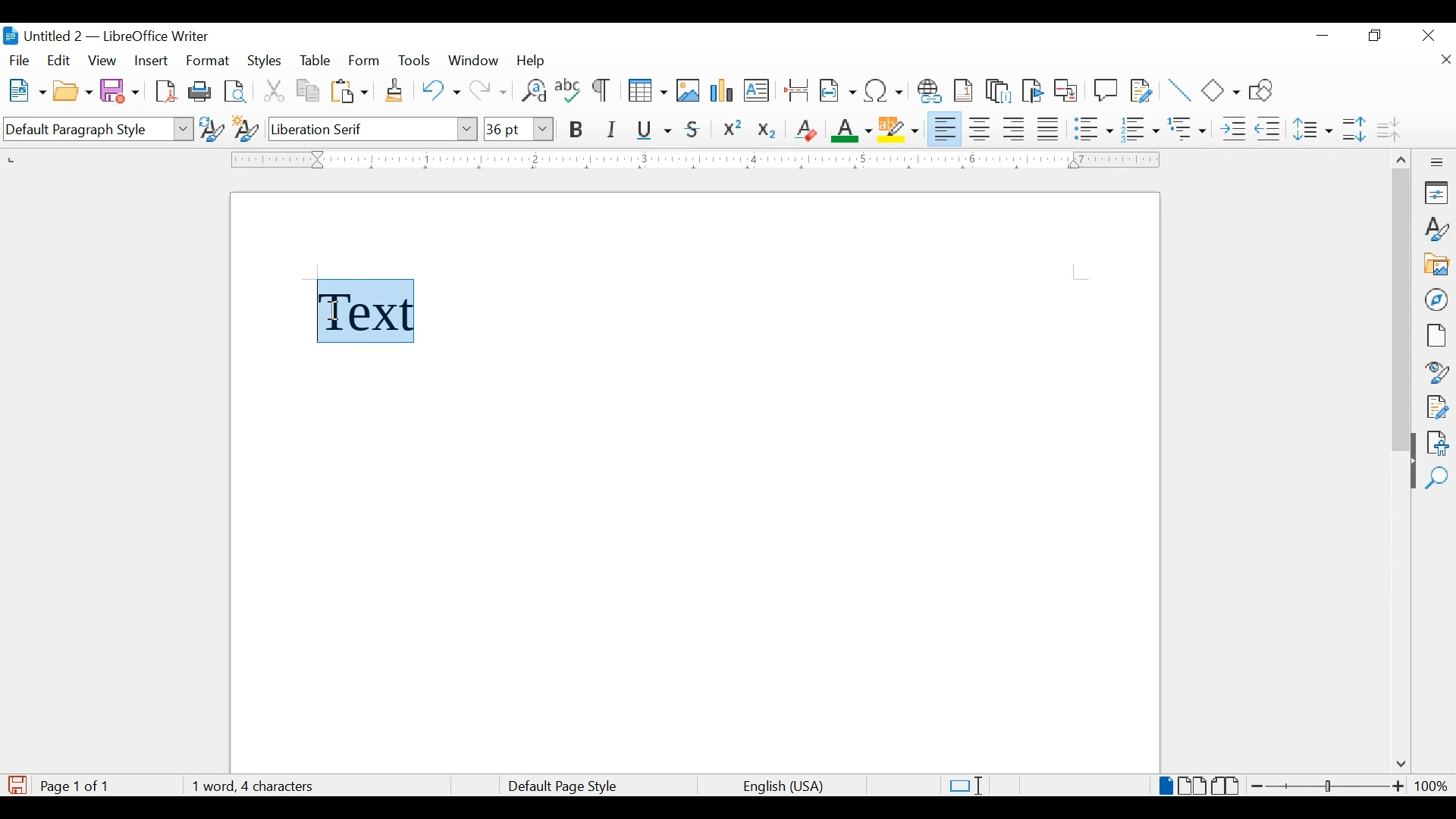 The image size is (1456, 819). What do you see at coordinates (560, 786) in the screenshot?
I see `default page style` at bounding box center [560, 786].